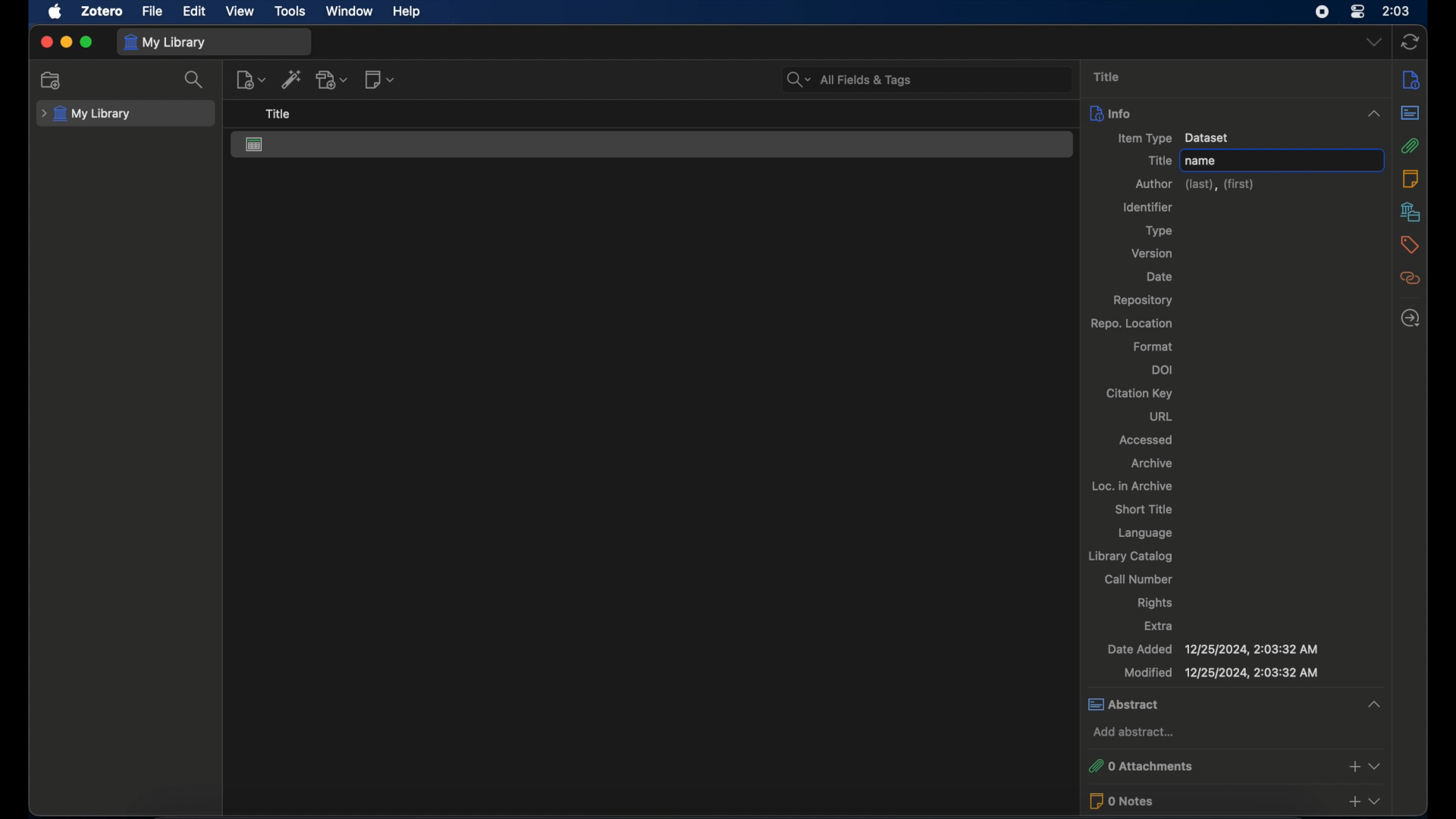  I want to click on short title, so click(1145, 509).